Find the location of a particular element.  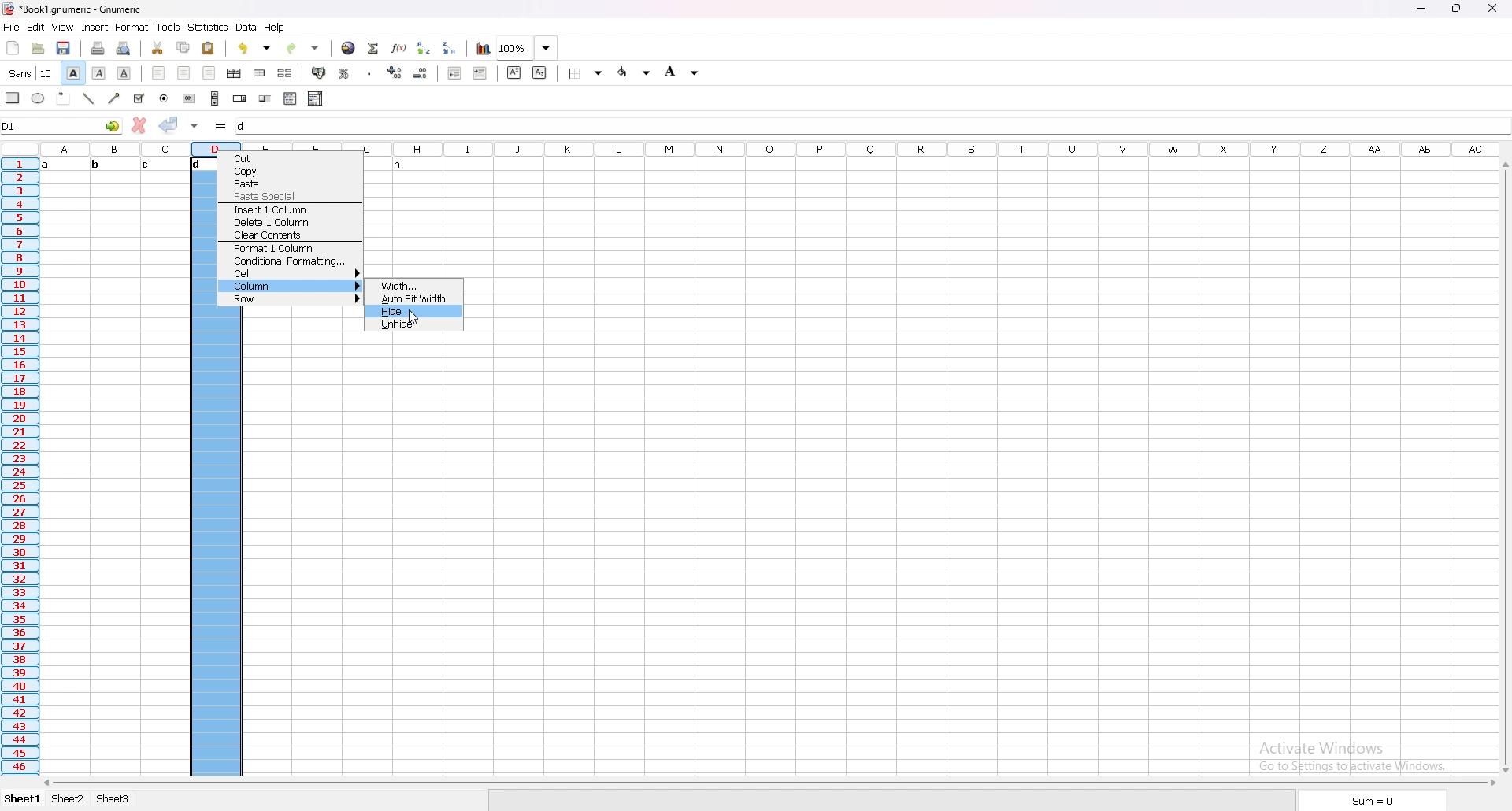

tick box is located at coordinates (139, 99).